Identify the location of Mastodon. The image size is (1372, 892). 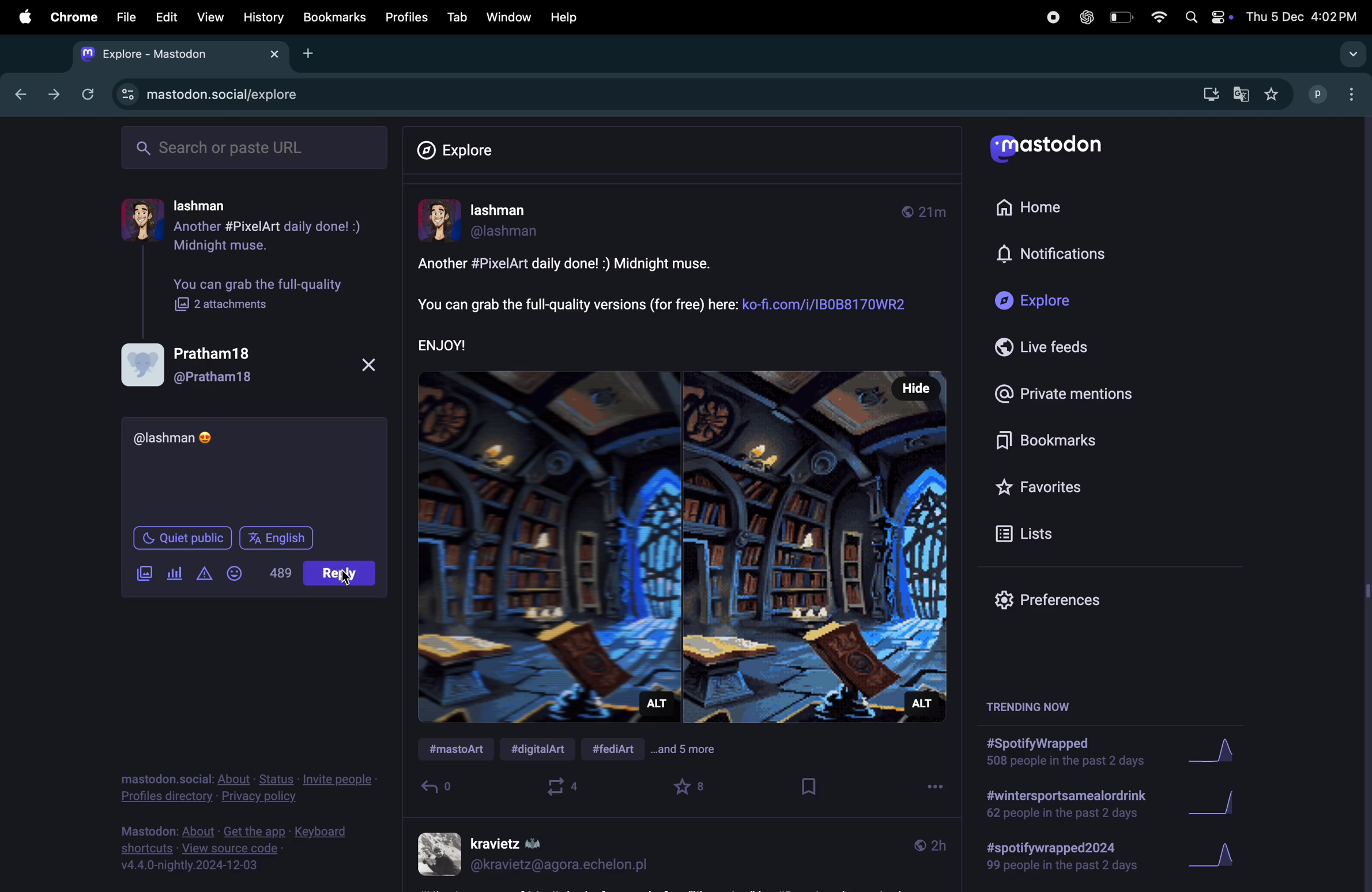
(1053, 146).